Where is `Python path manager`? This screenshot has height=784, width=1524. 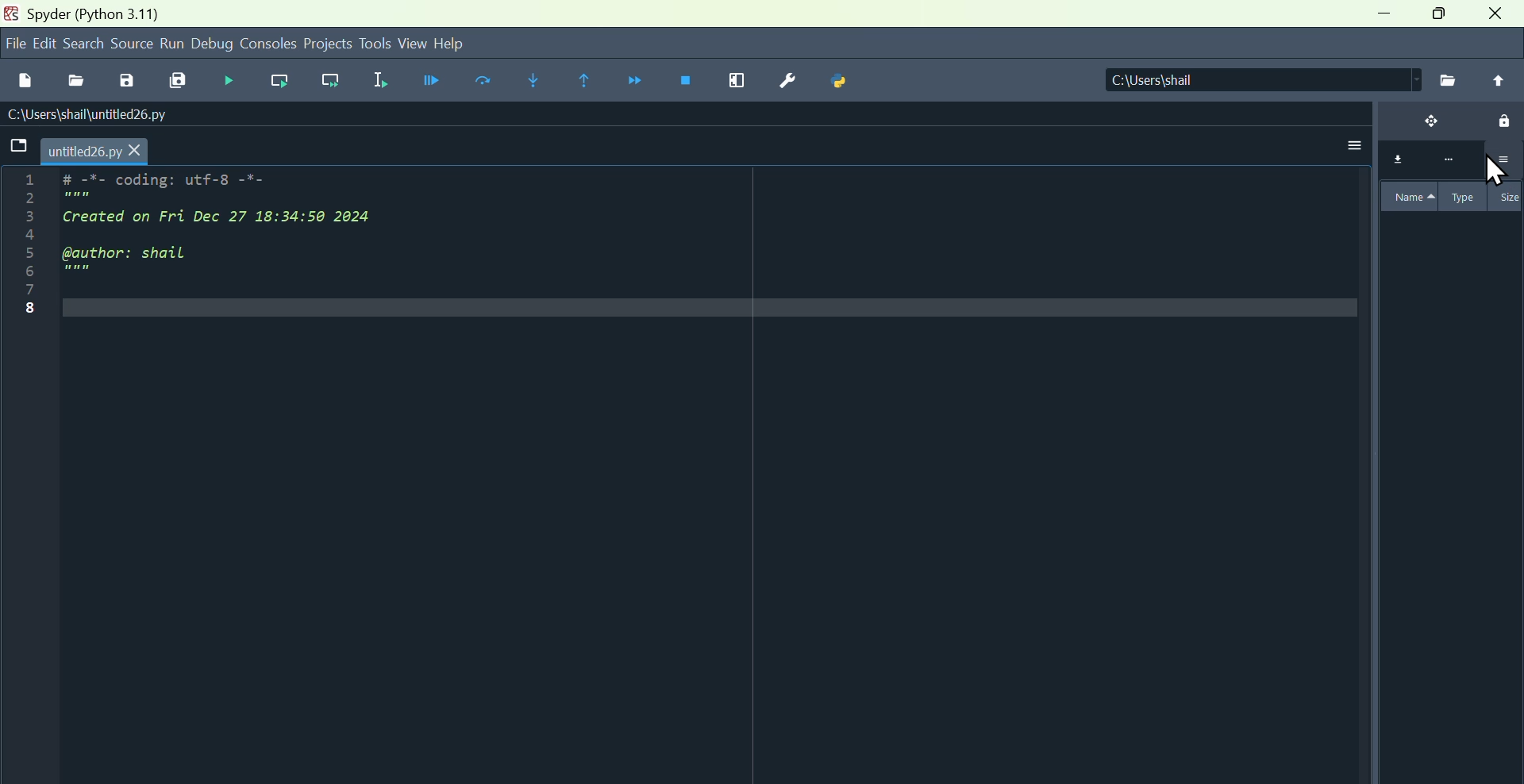 Python path manager is located at coordinates (844, 83).